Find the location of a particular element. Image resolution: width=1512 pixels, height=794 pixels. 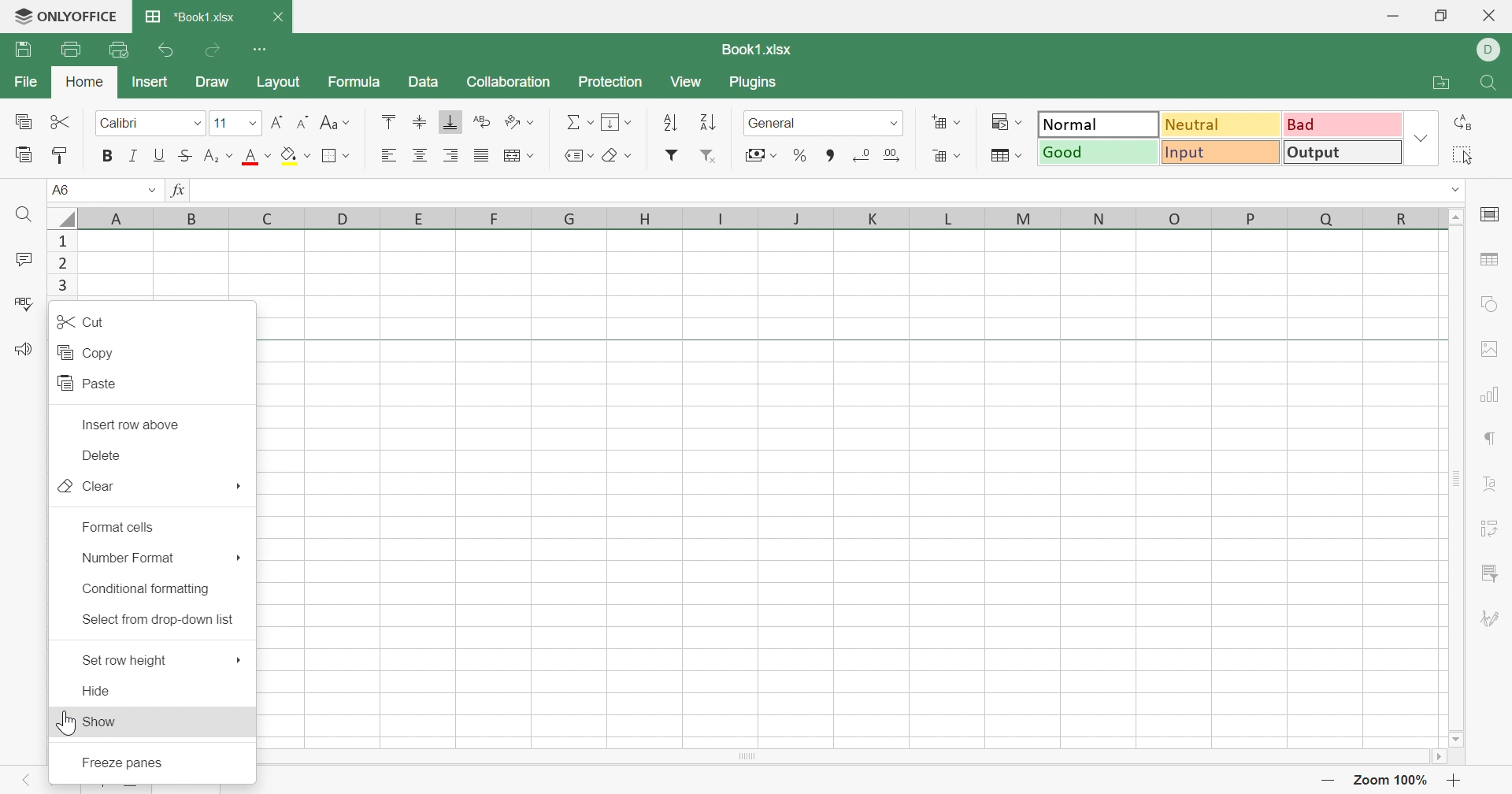

Signature settings is located at coordinates (1492, 619).